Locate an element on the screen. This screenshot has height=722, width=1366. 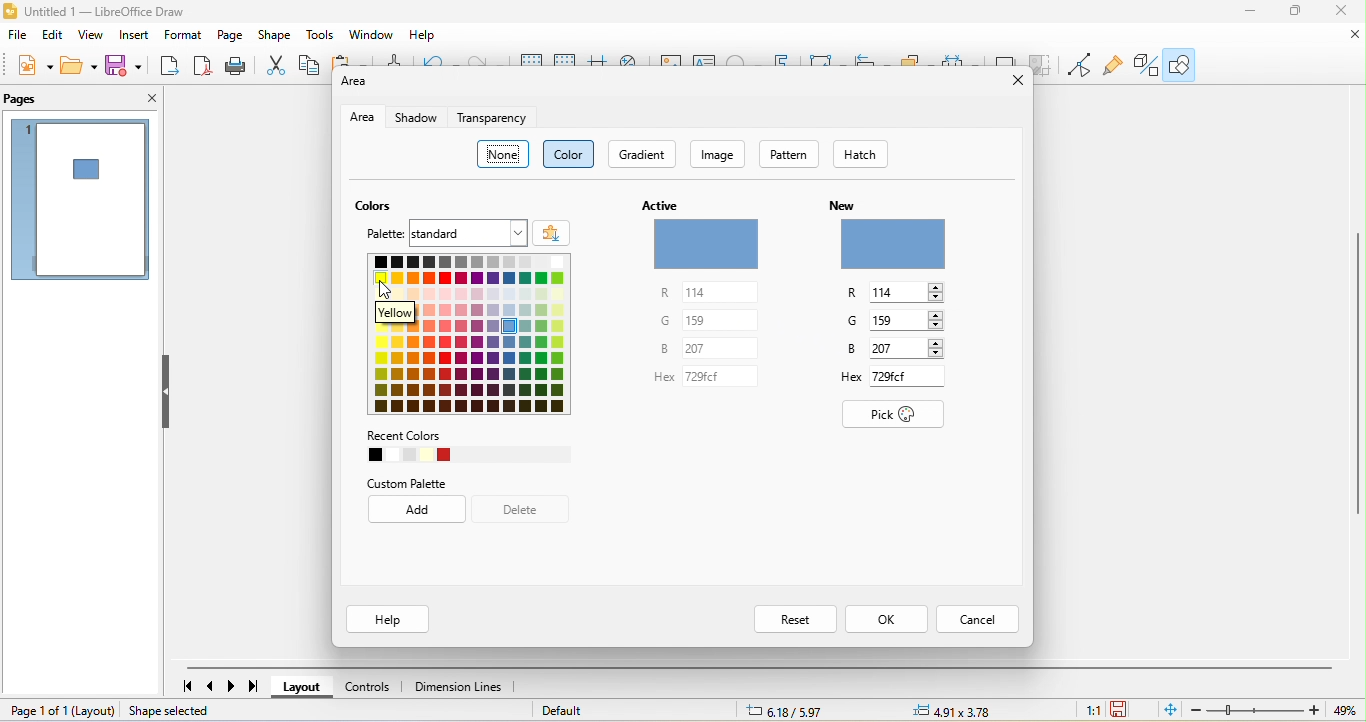
cut is located at coordinates (275, 68).